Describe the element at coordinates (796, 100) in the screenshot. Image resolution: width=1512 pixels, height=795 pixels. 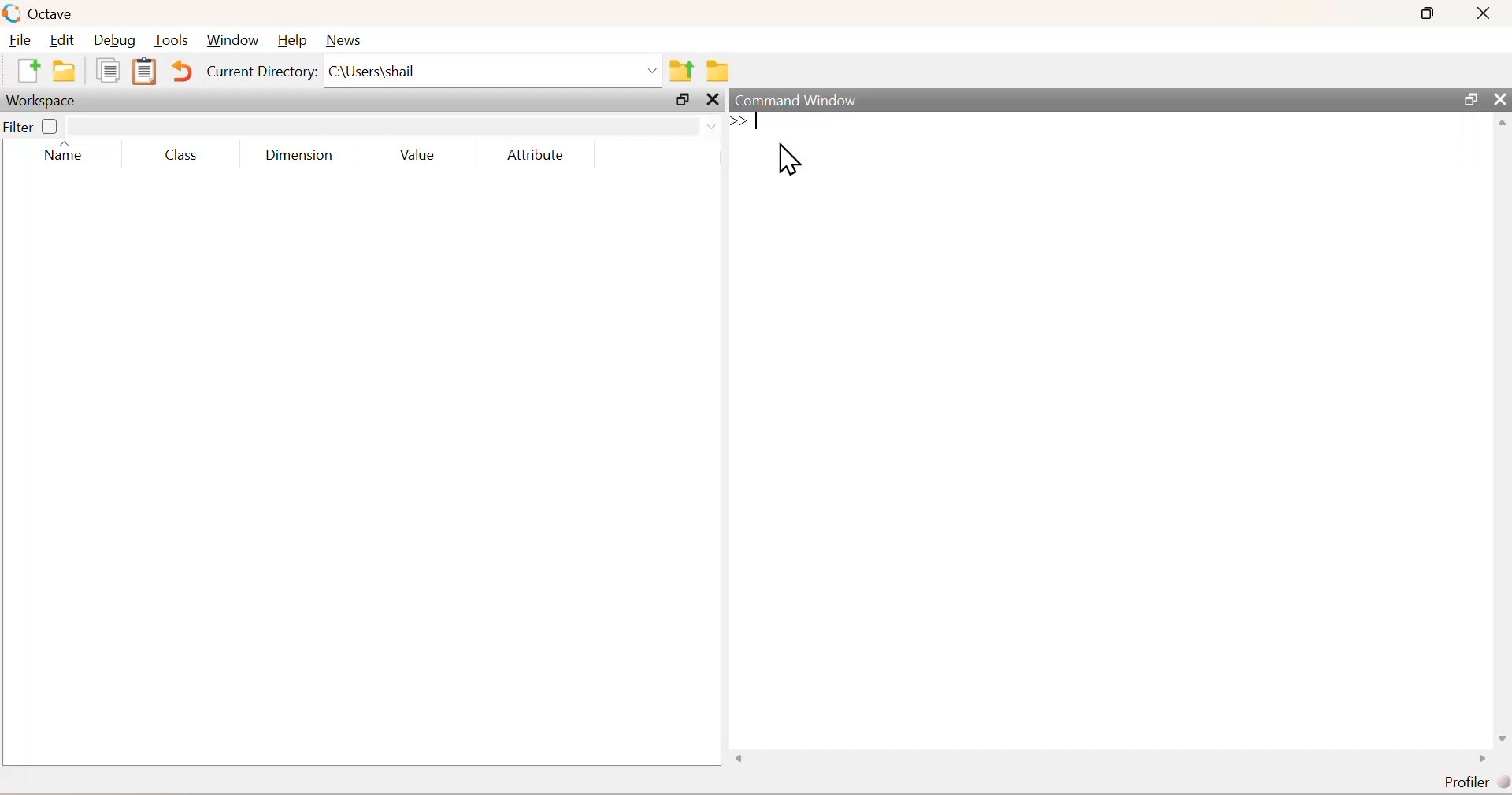
I see `Command Window` at that location.